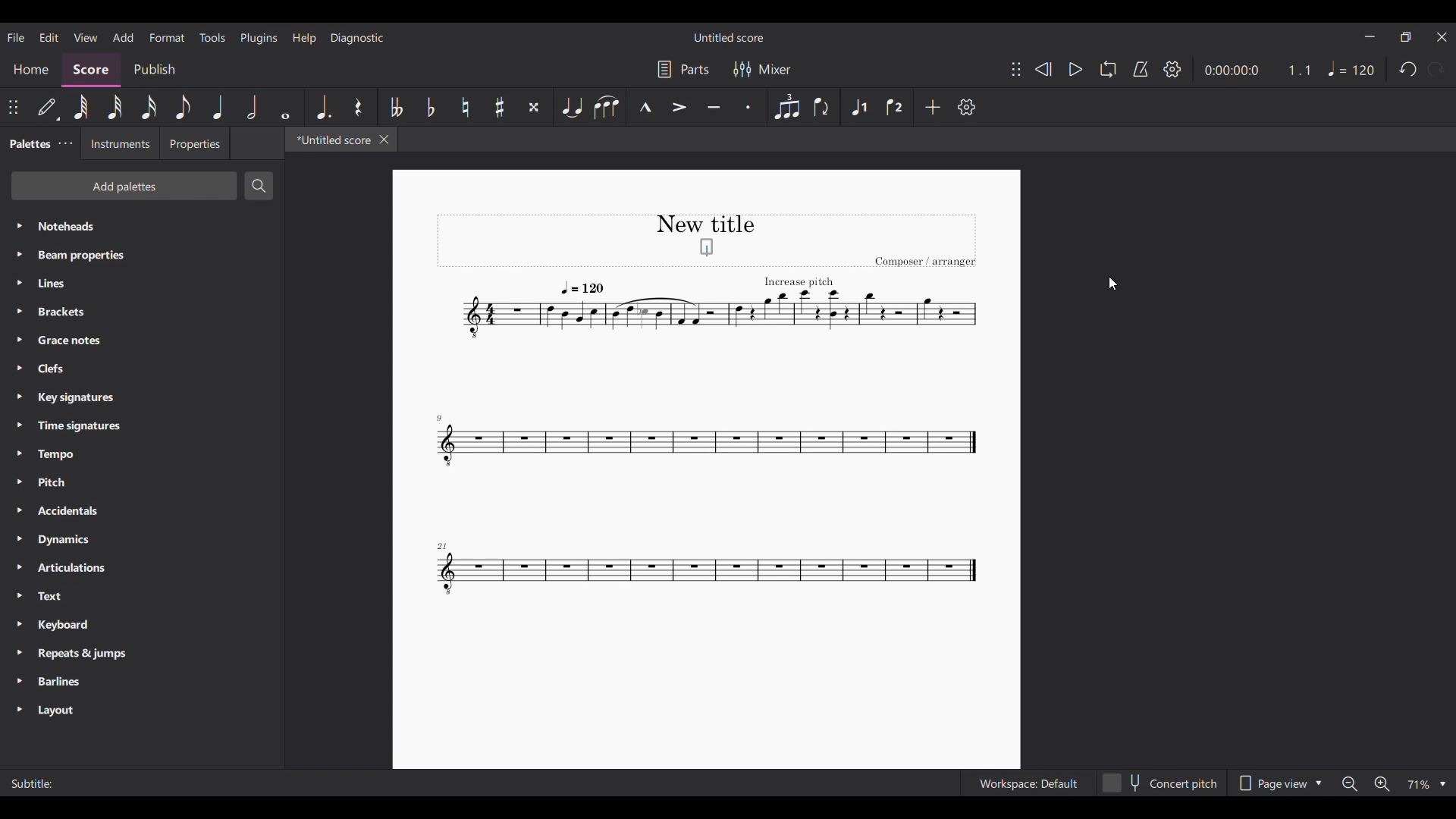 Image resolution: width=1456 pixels, height=819 pixels. I want to click on Half note, so click(252, 107).